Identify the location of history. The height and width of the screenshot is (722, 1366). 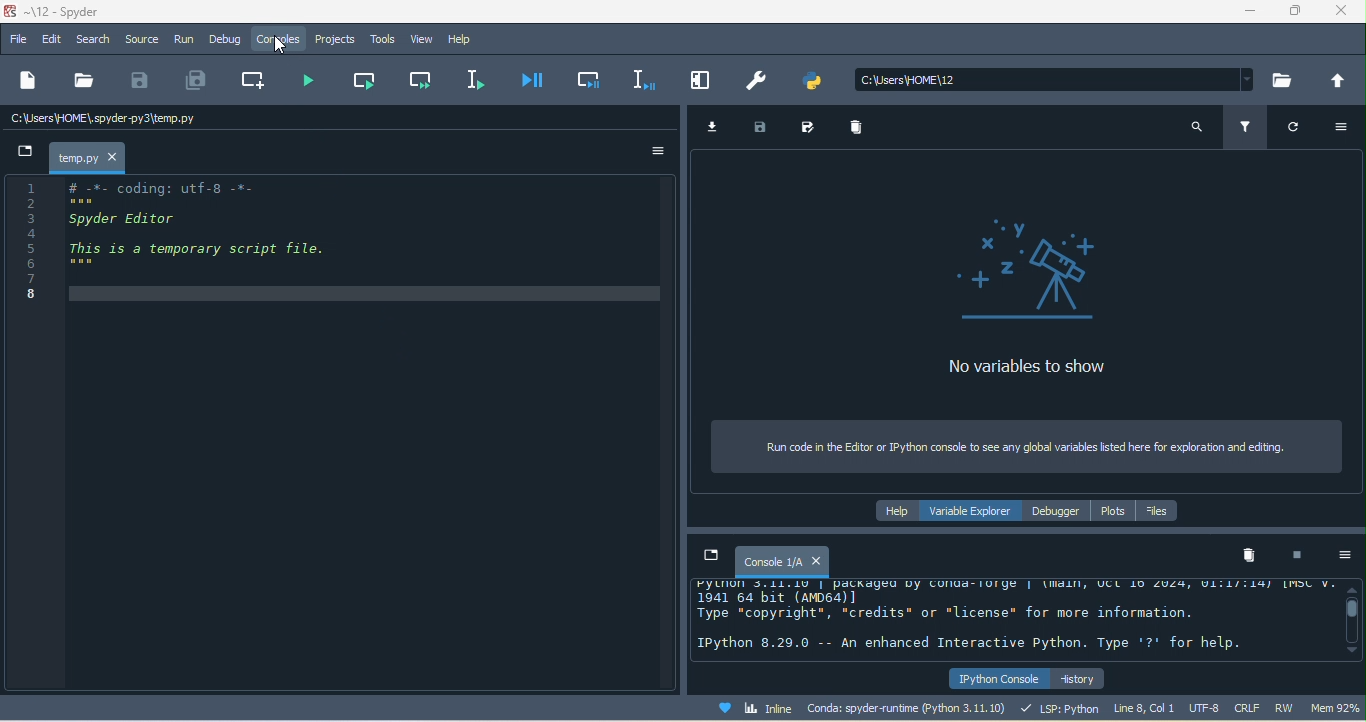
(1081, 677).